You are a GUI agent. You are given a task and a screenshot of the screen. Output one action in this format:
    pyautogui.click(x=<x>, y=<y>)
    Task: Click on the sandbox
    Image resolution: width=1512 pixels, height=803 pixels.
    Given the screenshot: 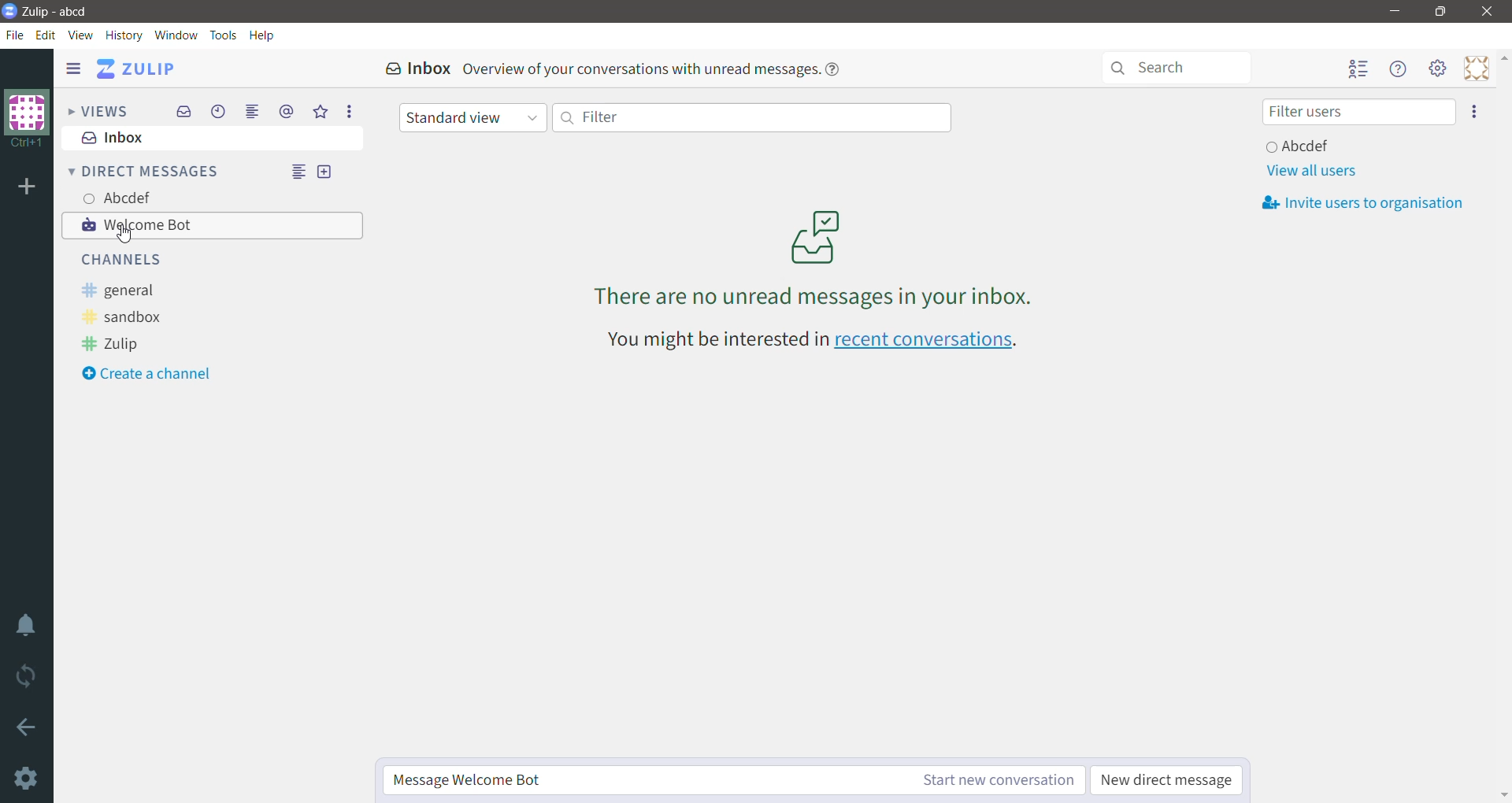 What is the action you would take?
    pyautogui.click(x=116, y=318)
    